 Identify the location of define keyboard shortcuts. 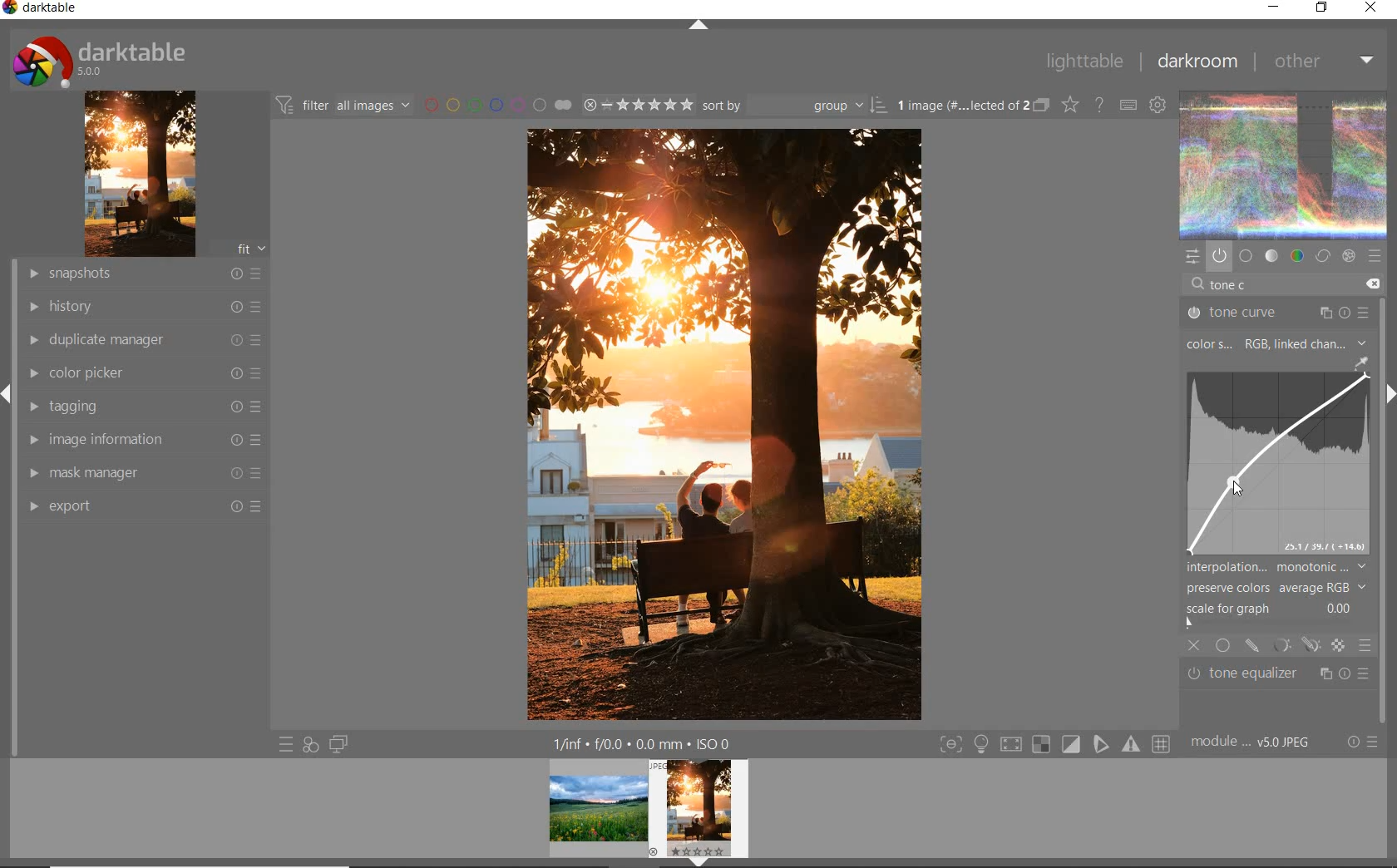
(1131, 105).